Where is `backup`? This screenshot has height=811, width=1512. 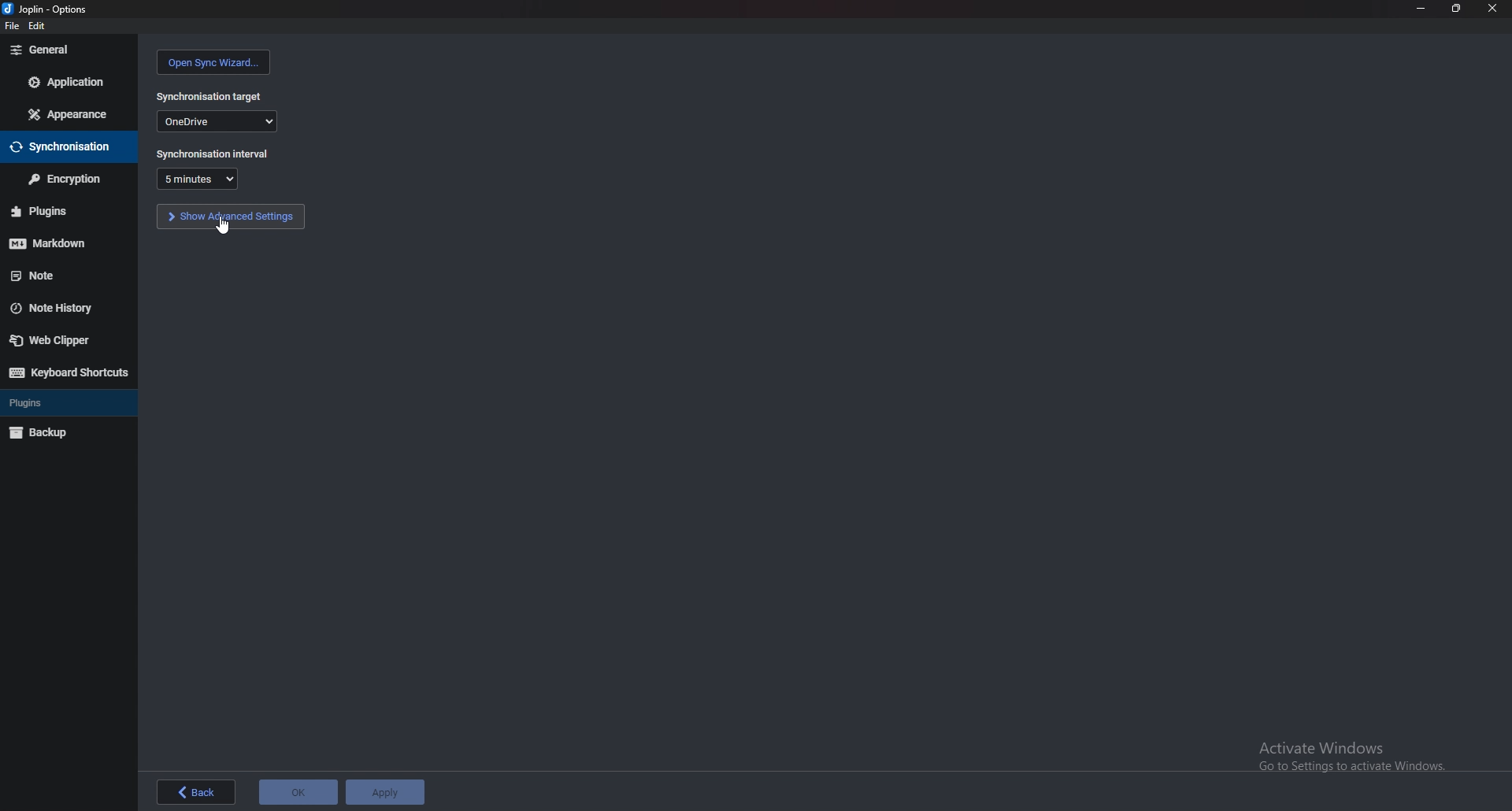 backup is located at coordinates (58, 434).